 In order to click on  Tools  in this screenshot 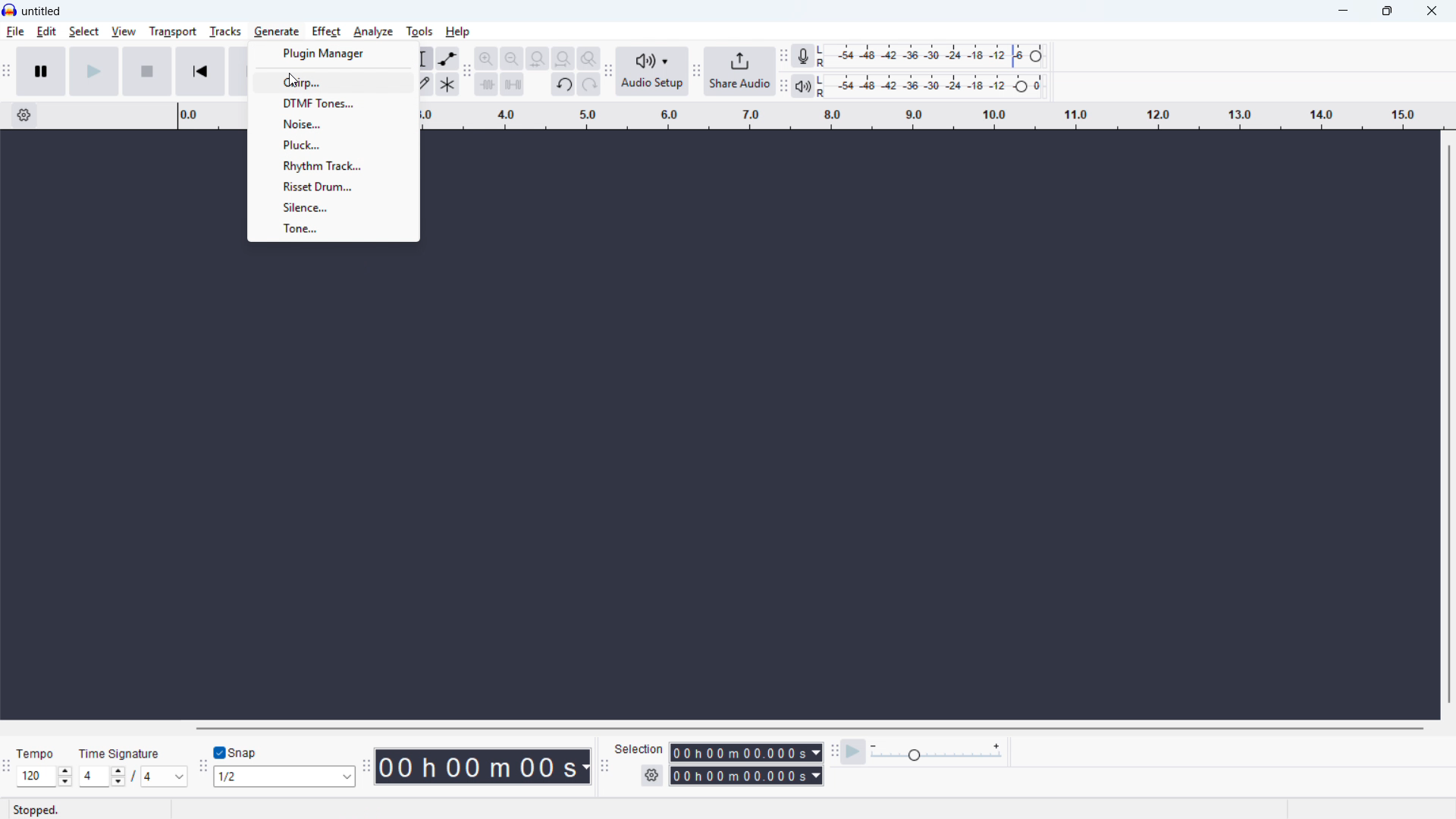, I will do `click(420, 31)`.